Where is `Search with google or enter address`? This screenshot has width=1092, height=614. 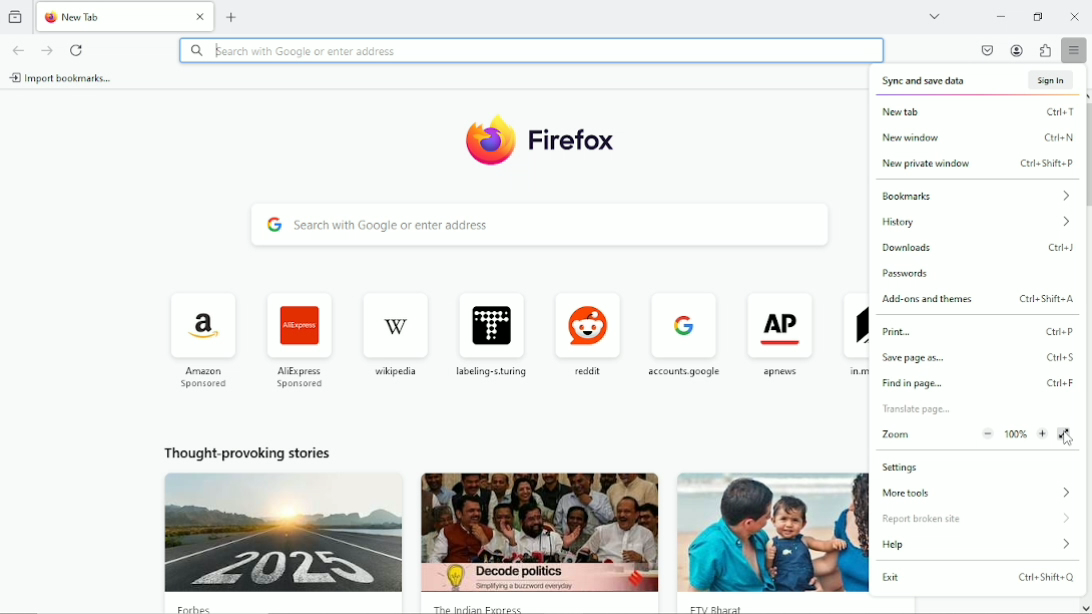
Search with google or enter address is located at coordinates (532, 50).